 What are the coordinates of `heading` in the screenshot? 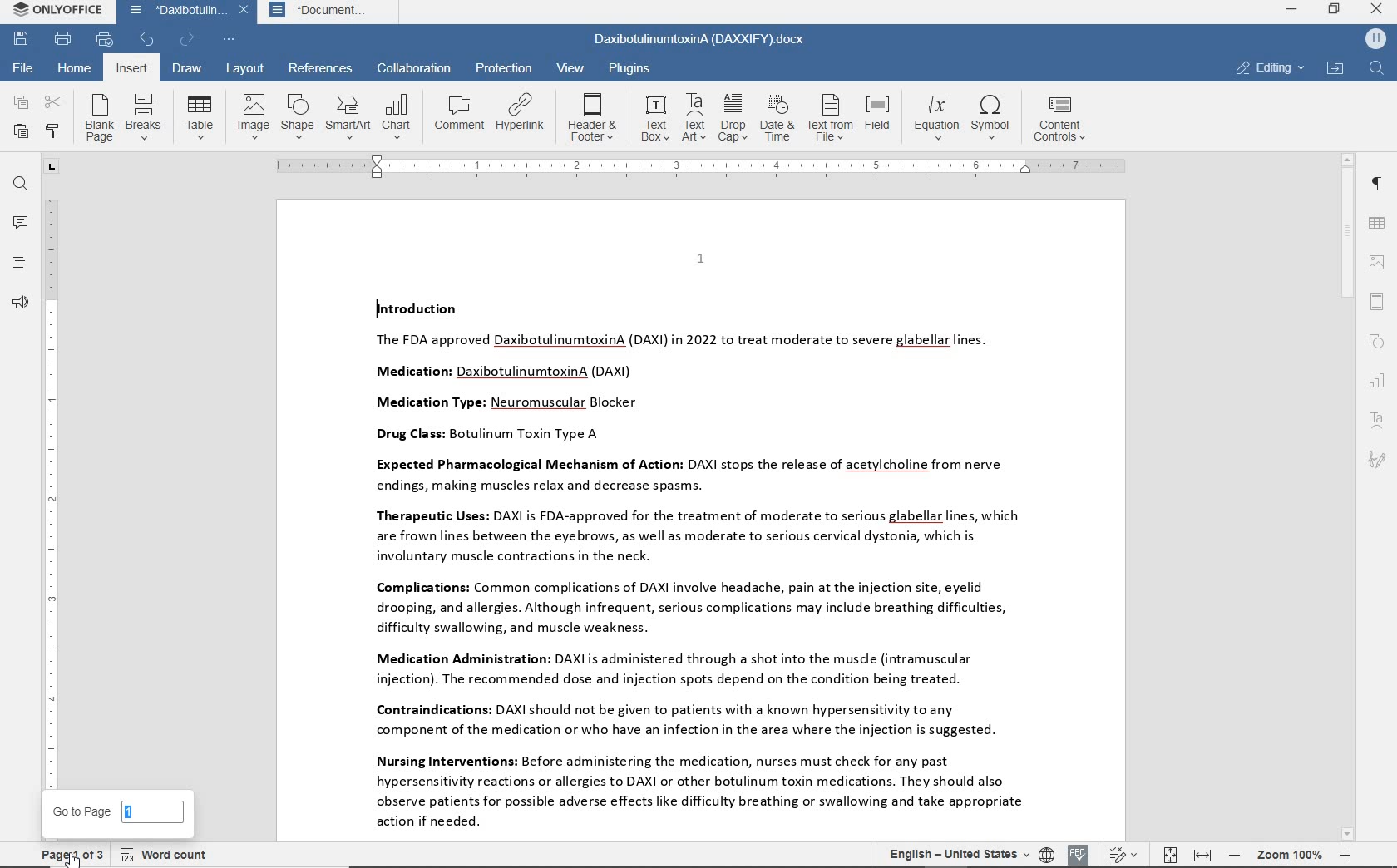 It's located at (21, 263).